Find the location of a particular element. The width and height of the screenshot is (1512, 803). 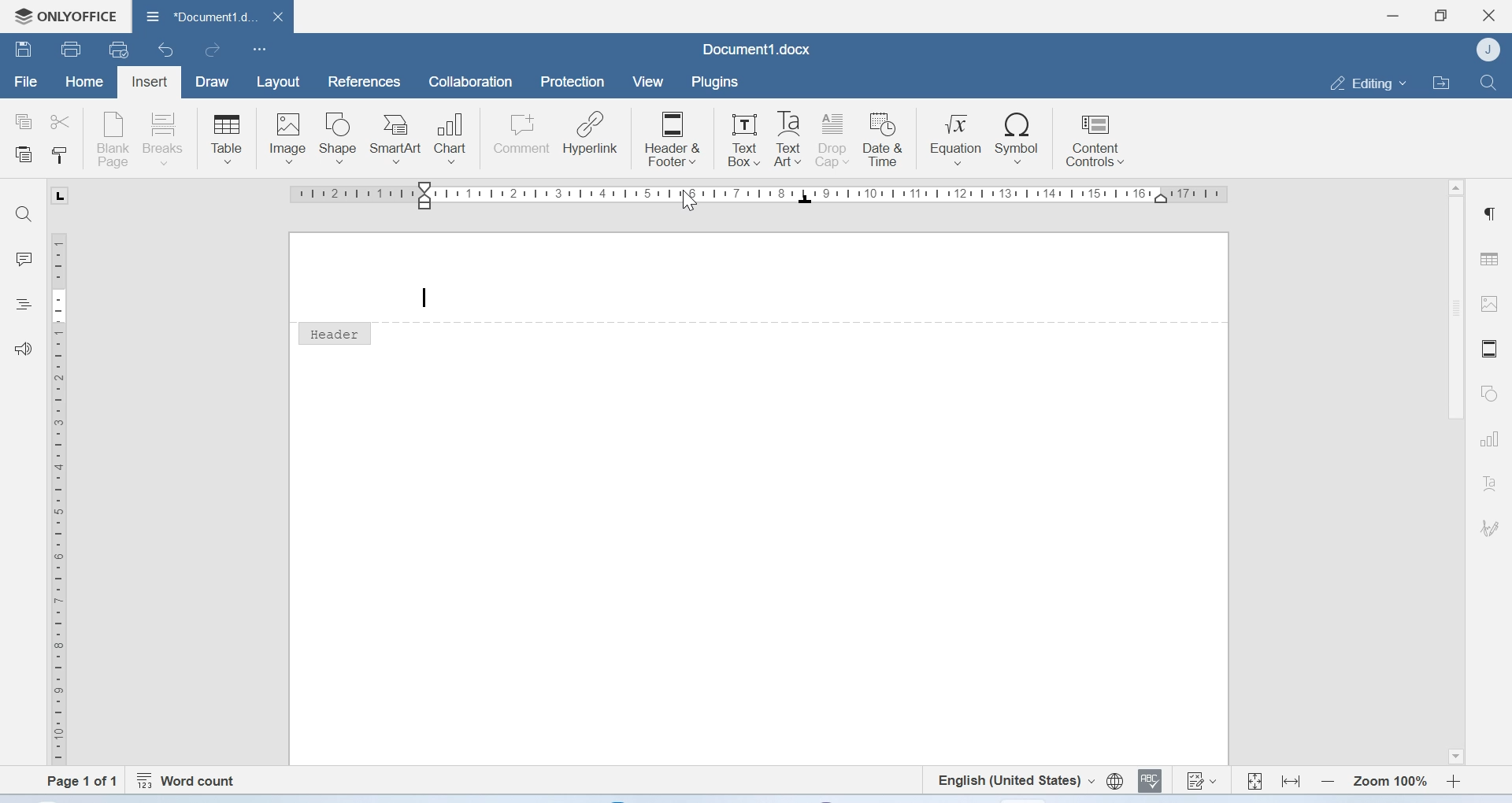

Text Art is located at coordinates (788, 140).